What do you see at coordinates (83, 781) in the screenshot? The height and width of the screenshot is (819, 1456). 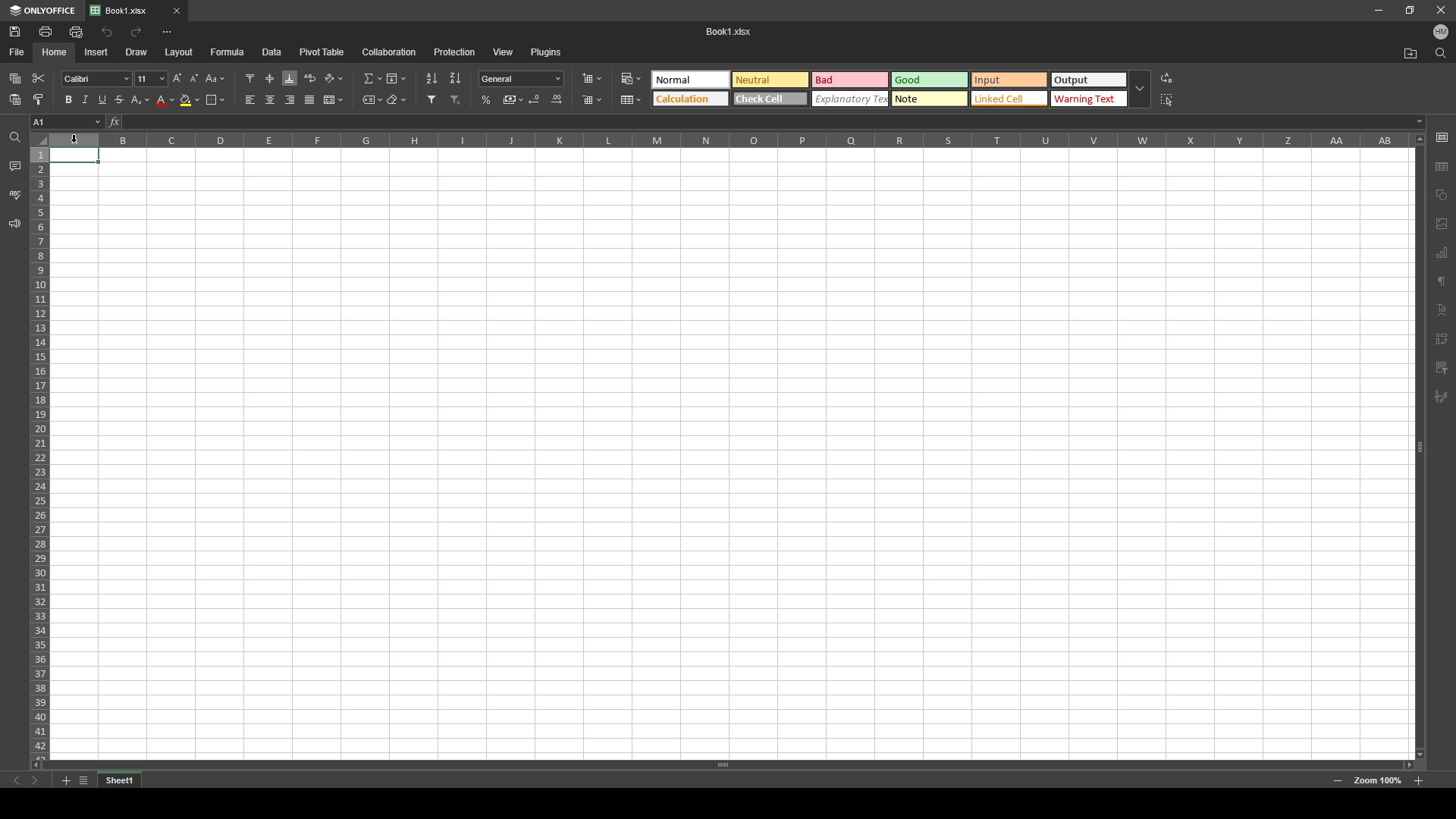 I see `list of sheets` at bounding box center [83, 781].